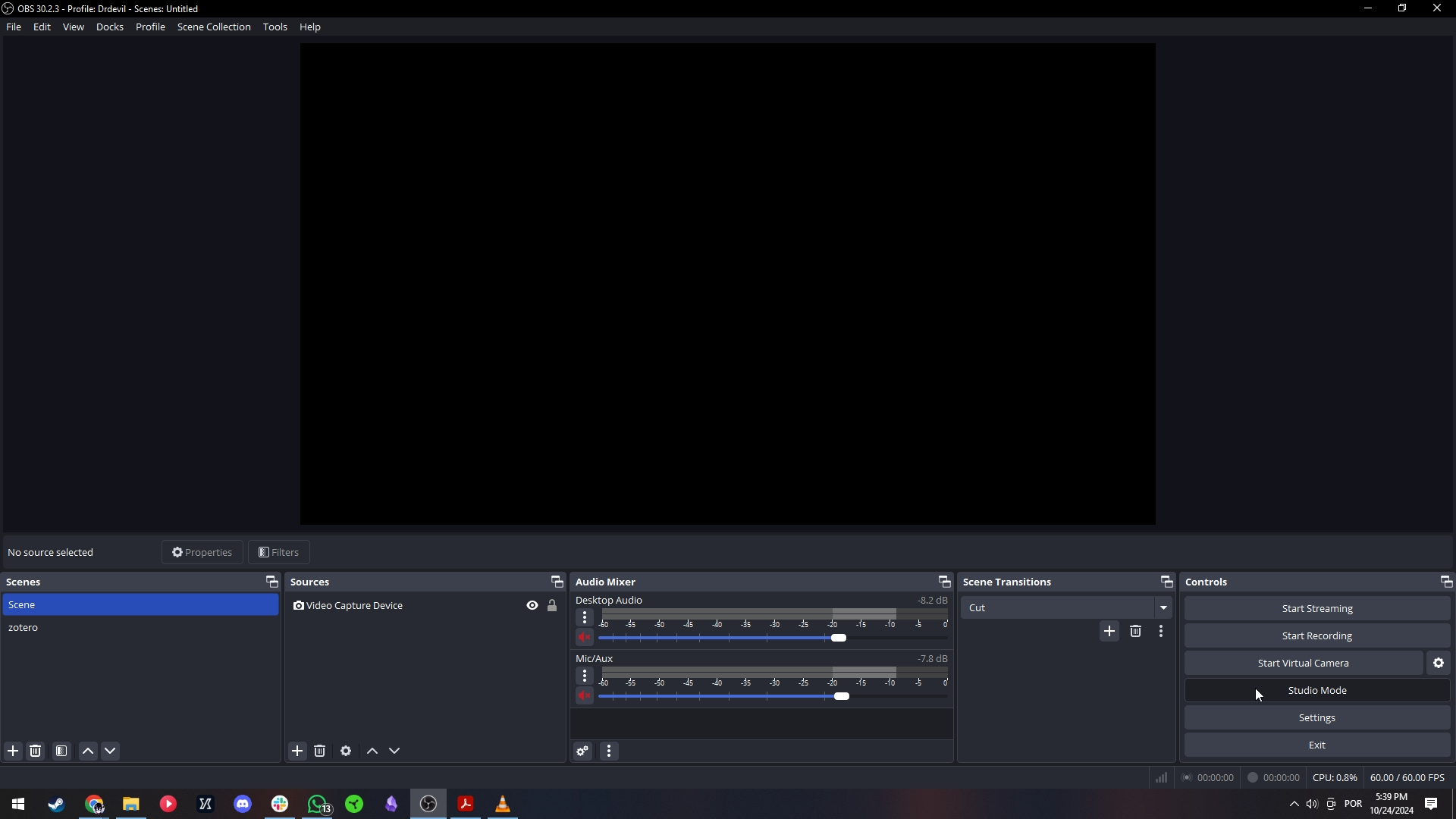 The height and width of the screenshot is (819, 1456). I want to click on Separate audio mixer window, so click(945, 581).